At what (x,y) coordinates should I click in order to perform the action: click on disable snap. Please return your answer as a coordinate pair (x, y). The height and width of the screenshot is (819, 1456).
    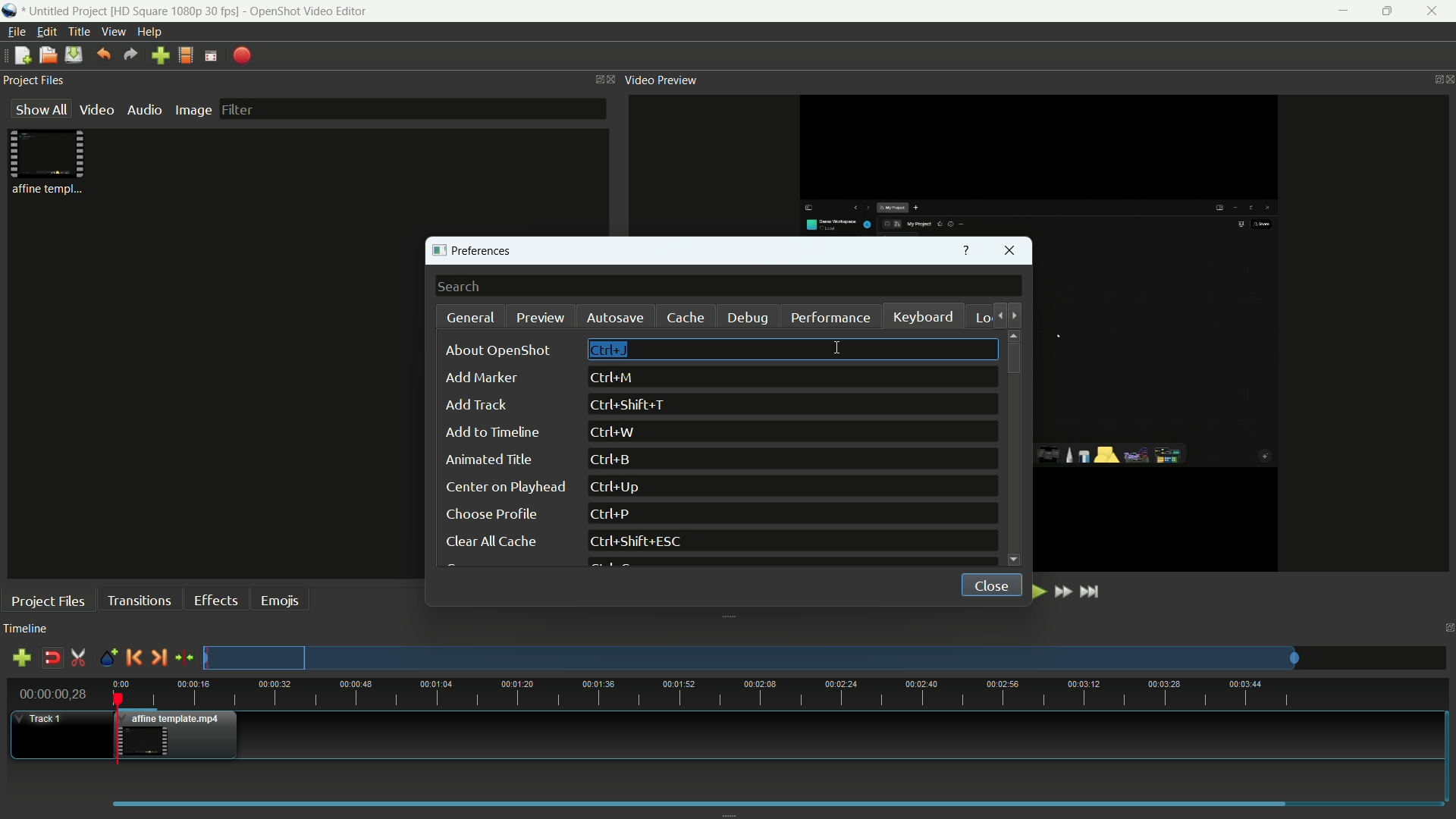
    Looking at the image, I should click on (52, 658).